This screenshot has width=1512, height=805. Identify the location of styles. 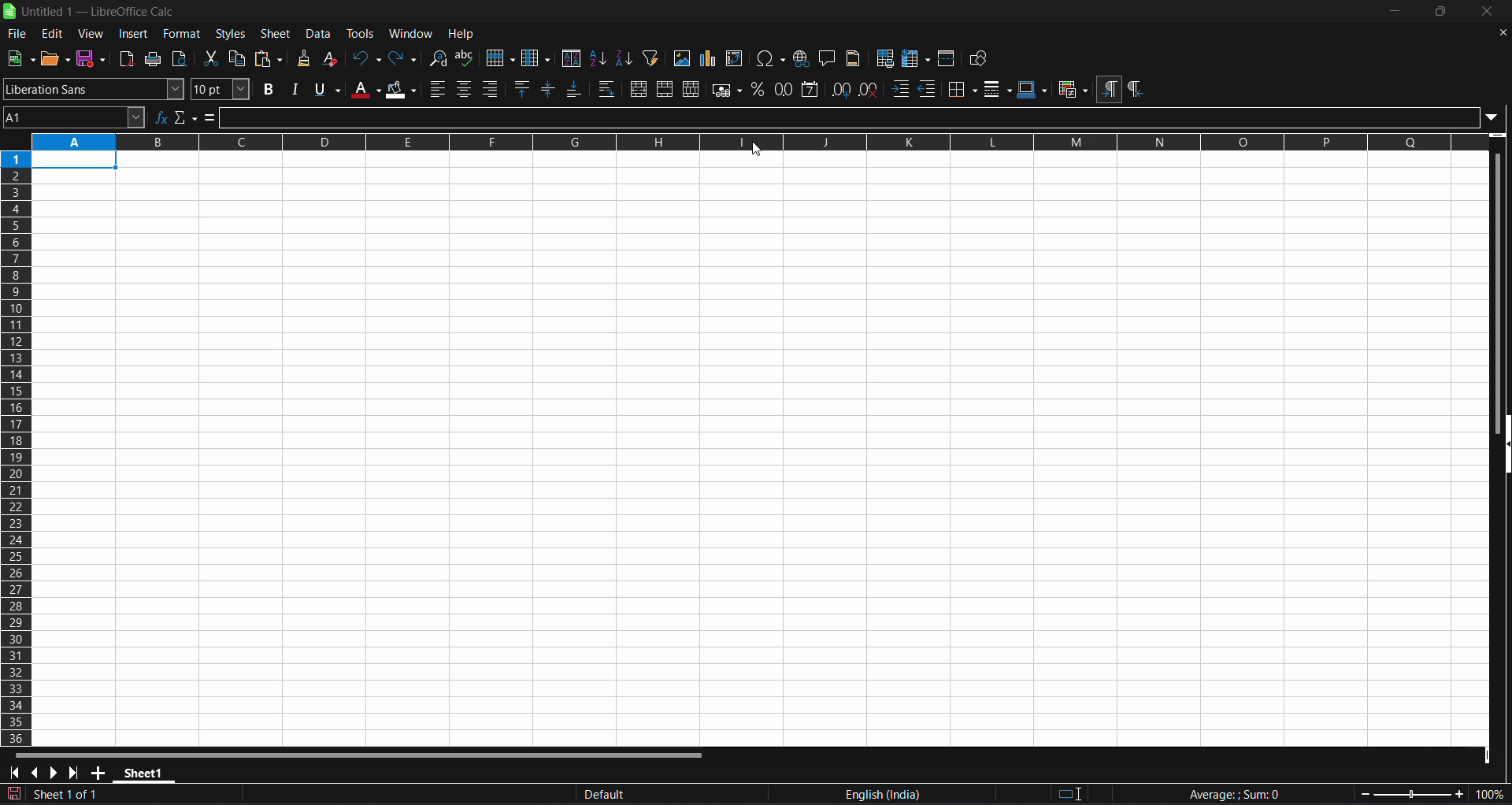
(230, 34).